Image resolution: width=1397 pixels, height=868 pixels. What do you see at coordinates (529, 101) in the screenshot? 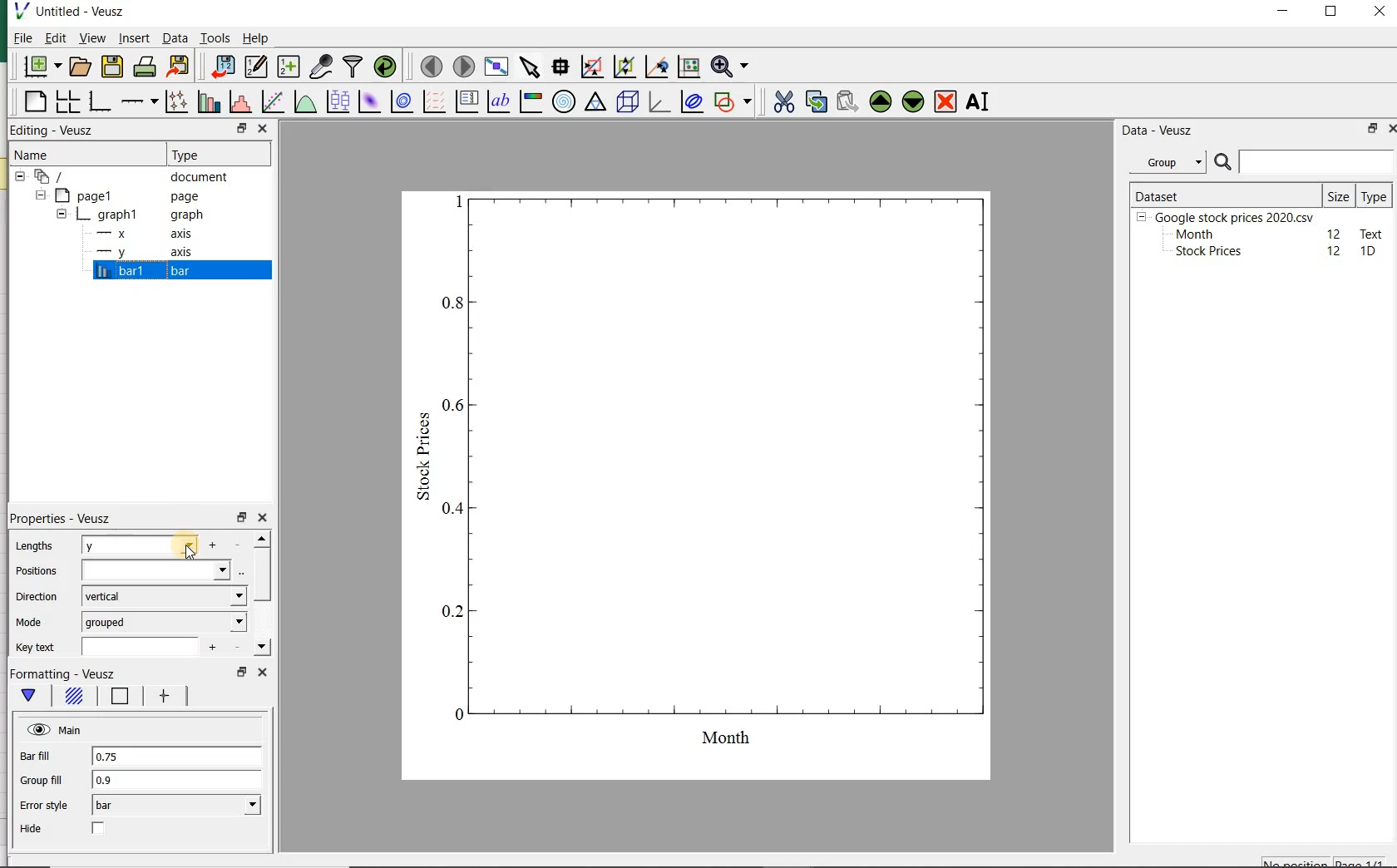
I see `image color bar` at bounding box center [529, 101].